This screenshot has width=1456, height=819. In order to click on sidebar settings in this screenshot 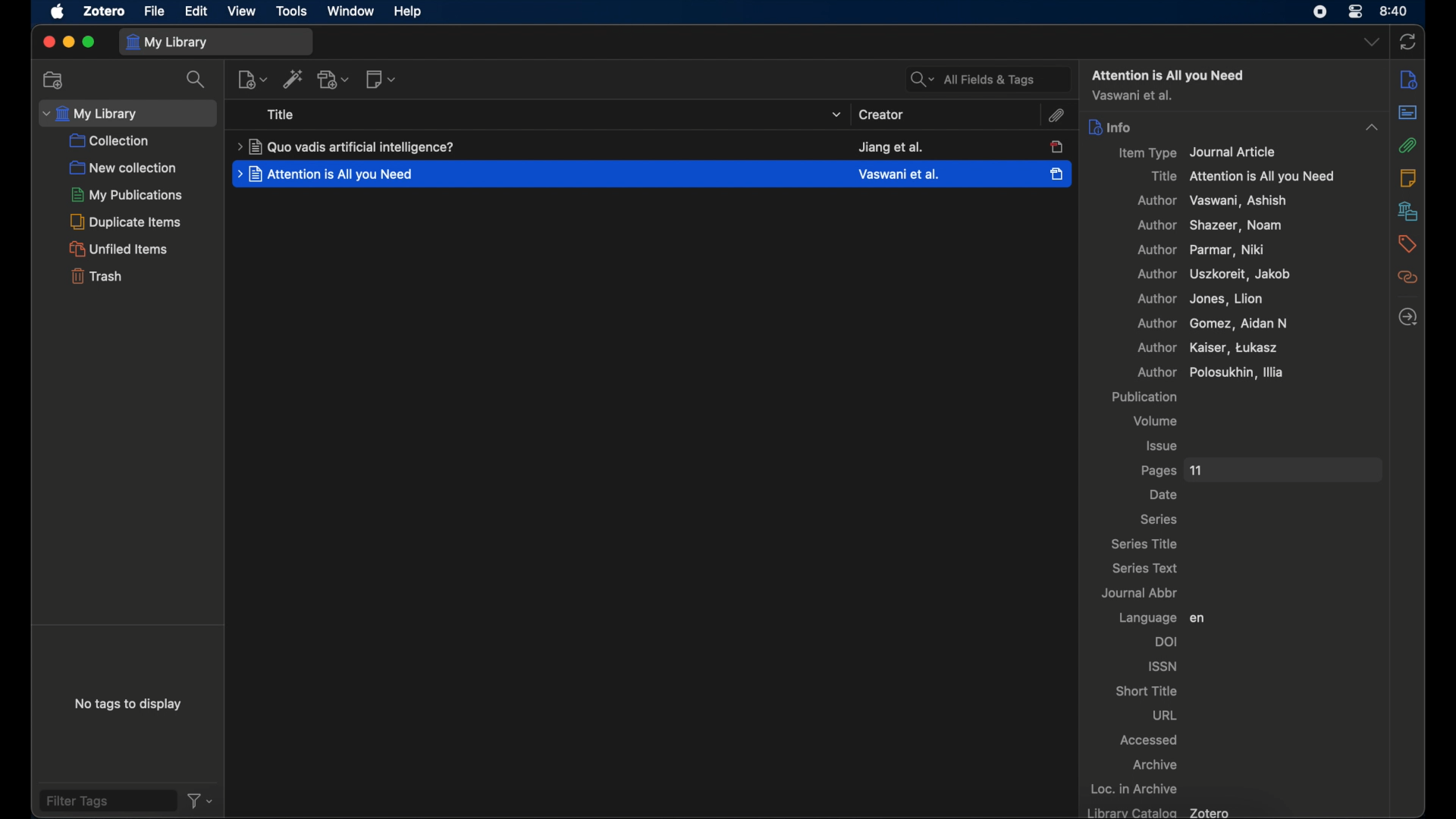, I will do `click(1408, 80)`.